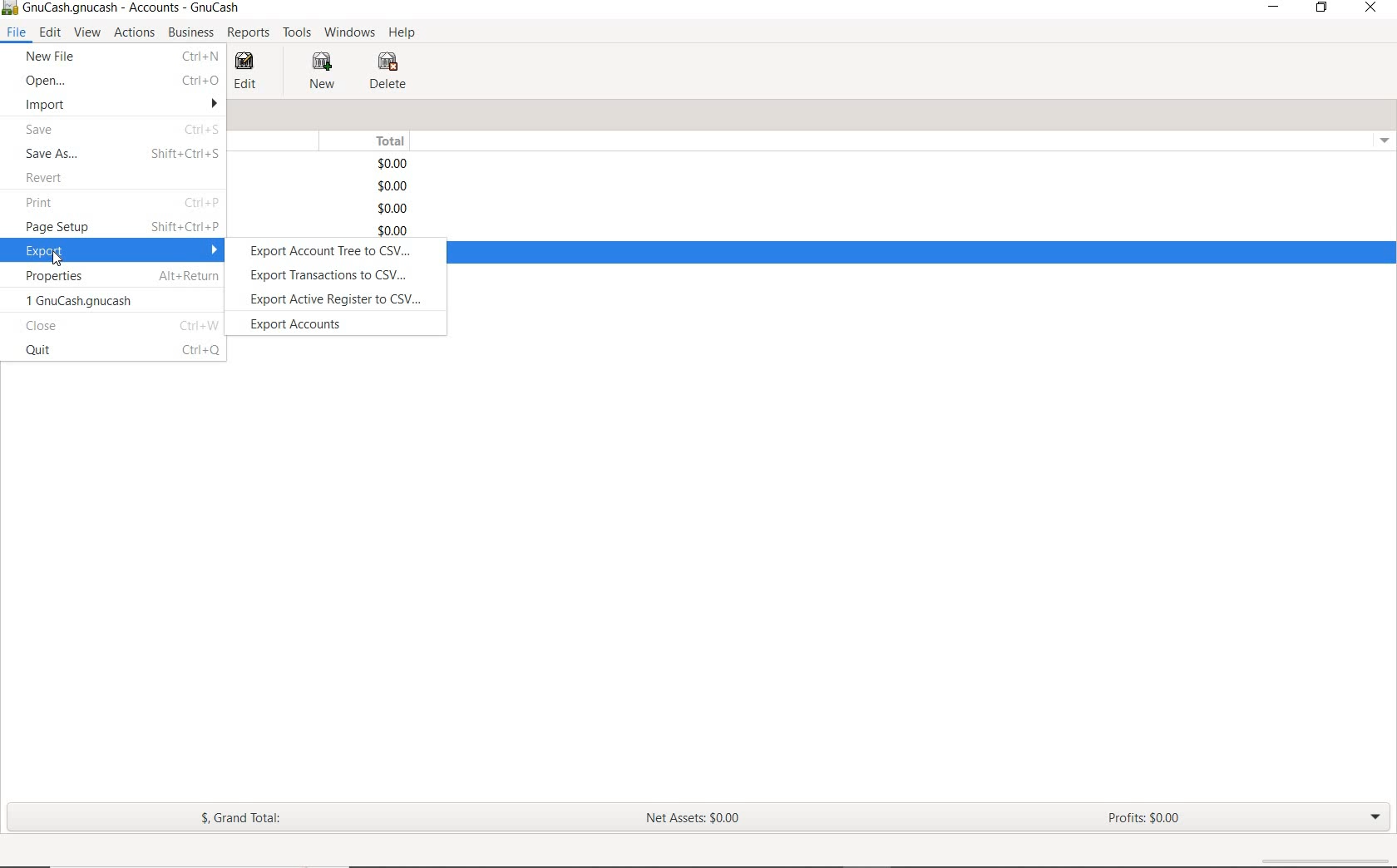 This screenshot has width=1397, height=868. What do you see at coordinates (321, 74) in the screenshot?
I see `NEW` at bounding box center [321, 74].